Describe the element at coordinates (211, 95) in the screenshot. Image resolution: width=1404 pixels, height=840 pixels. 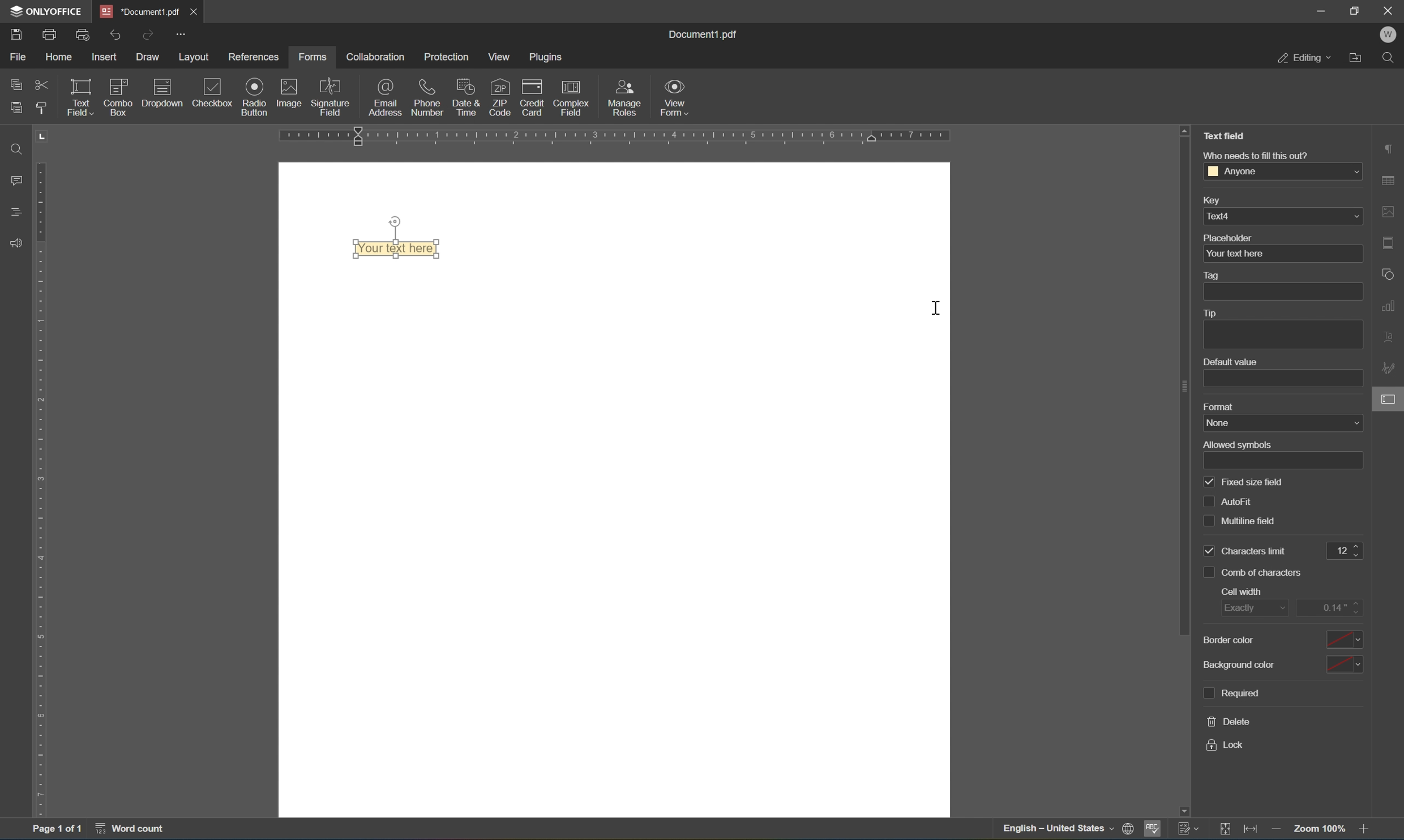
I see `checkbox` at that location.